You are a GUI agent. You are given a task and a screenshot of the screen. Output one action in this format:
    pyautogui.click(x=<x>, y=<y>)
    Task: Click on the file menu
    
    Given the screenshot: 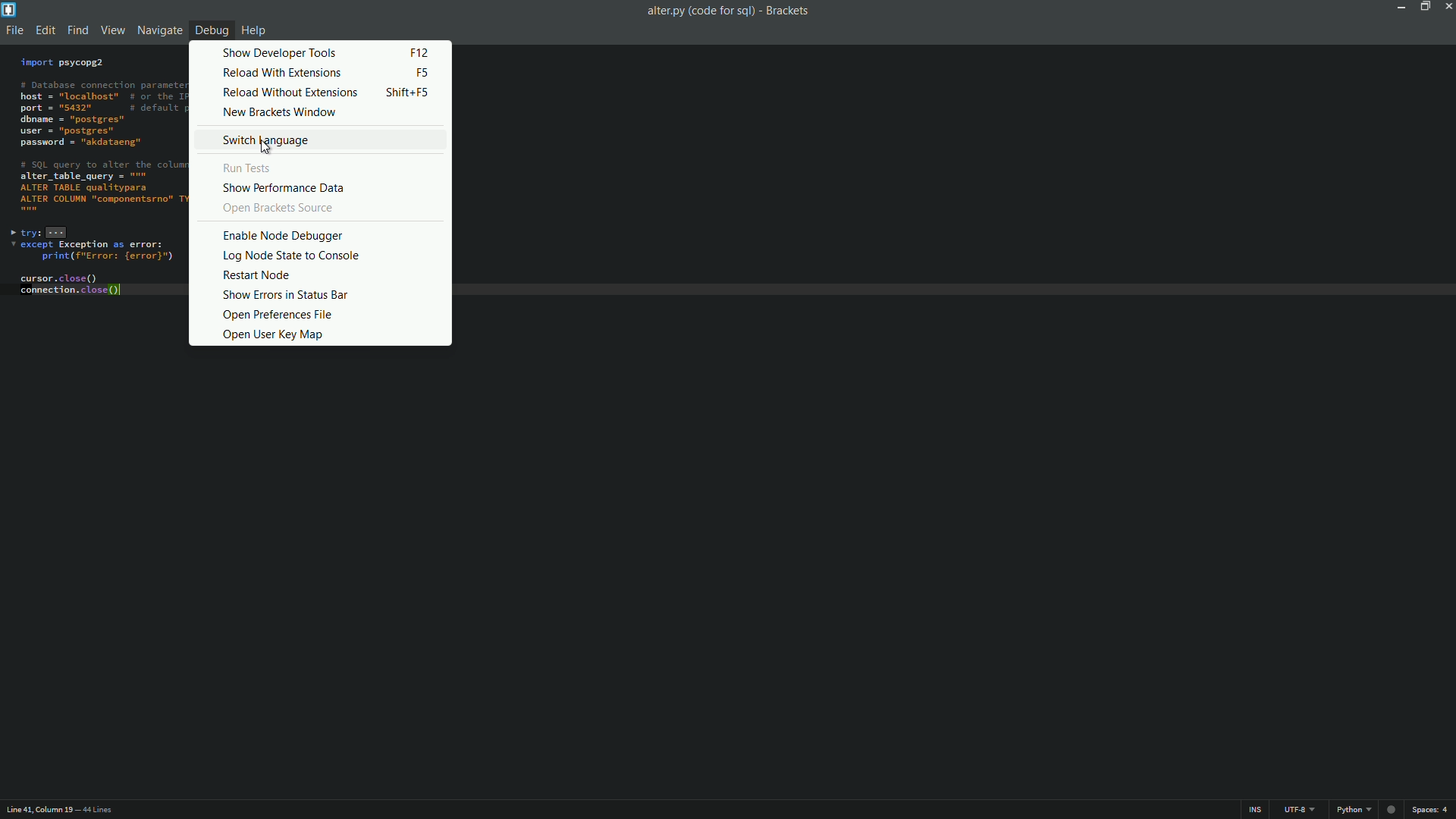 What is the action you would take?
    pyautogui.click(x=12, y=30)
    